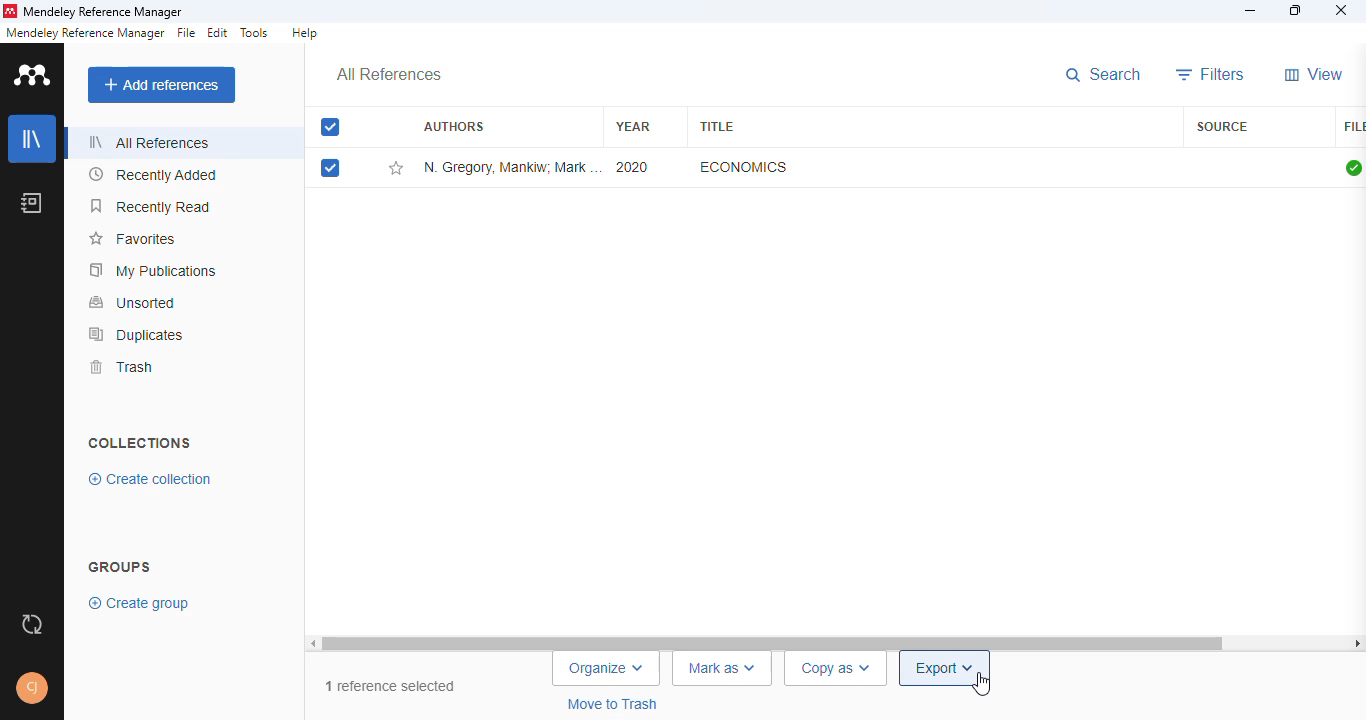 The width and height of the screenshot is (1366, 720). Describe the element at coordinates (511, 167) in the screenshot. I see `N. Gregory Mankiw, Mark P. Taylor` at that location.